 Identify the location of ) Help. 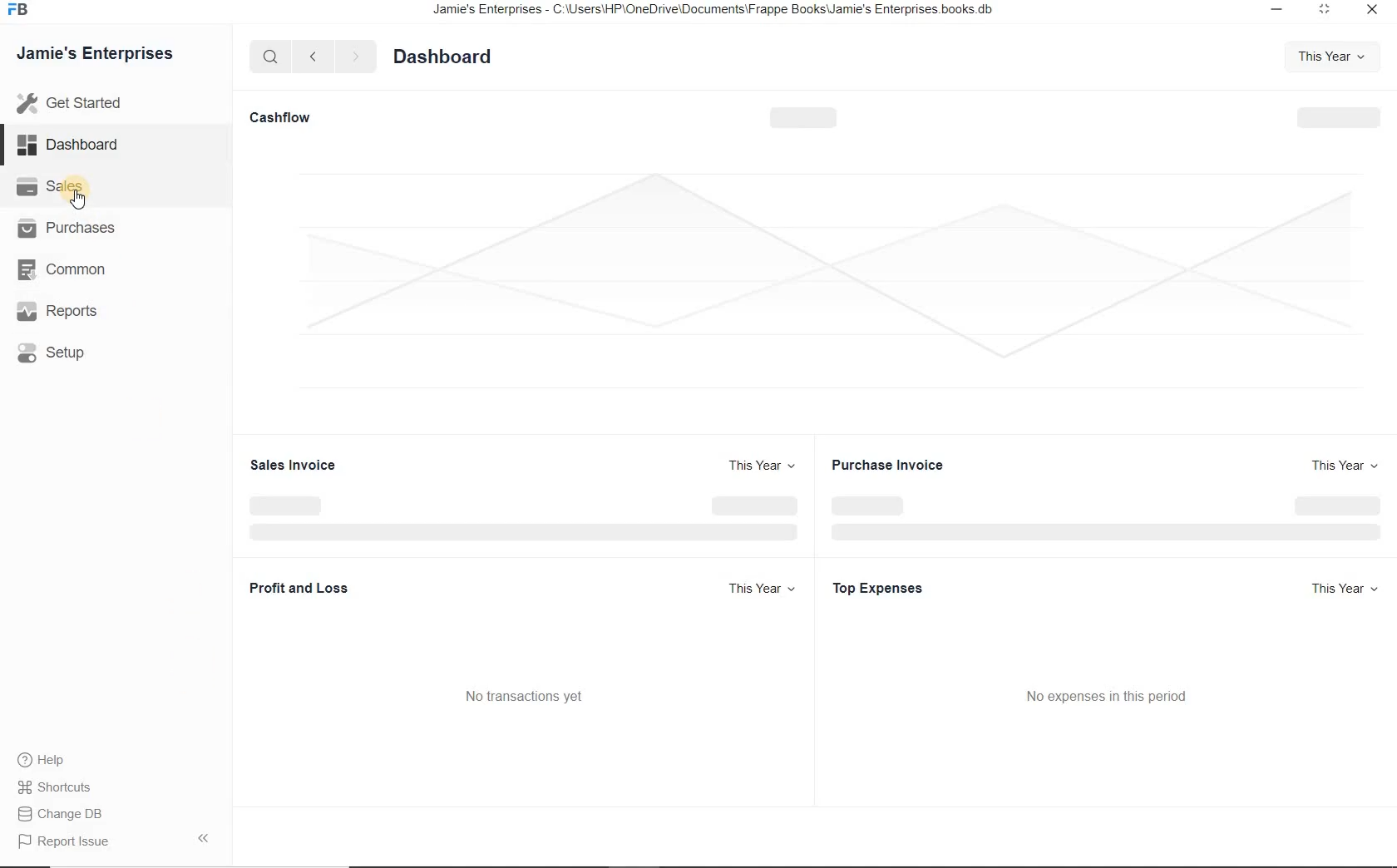
(62, 759).